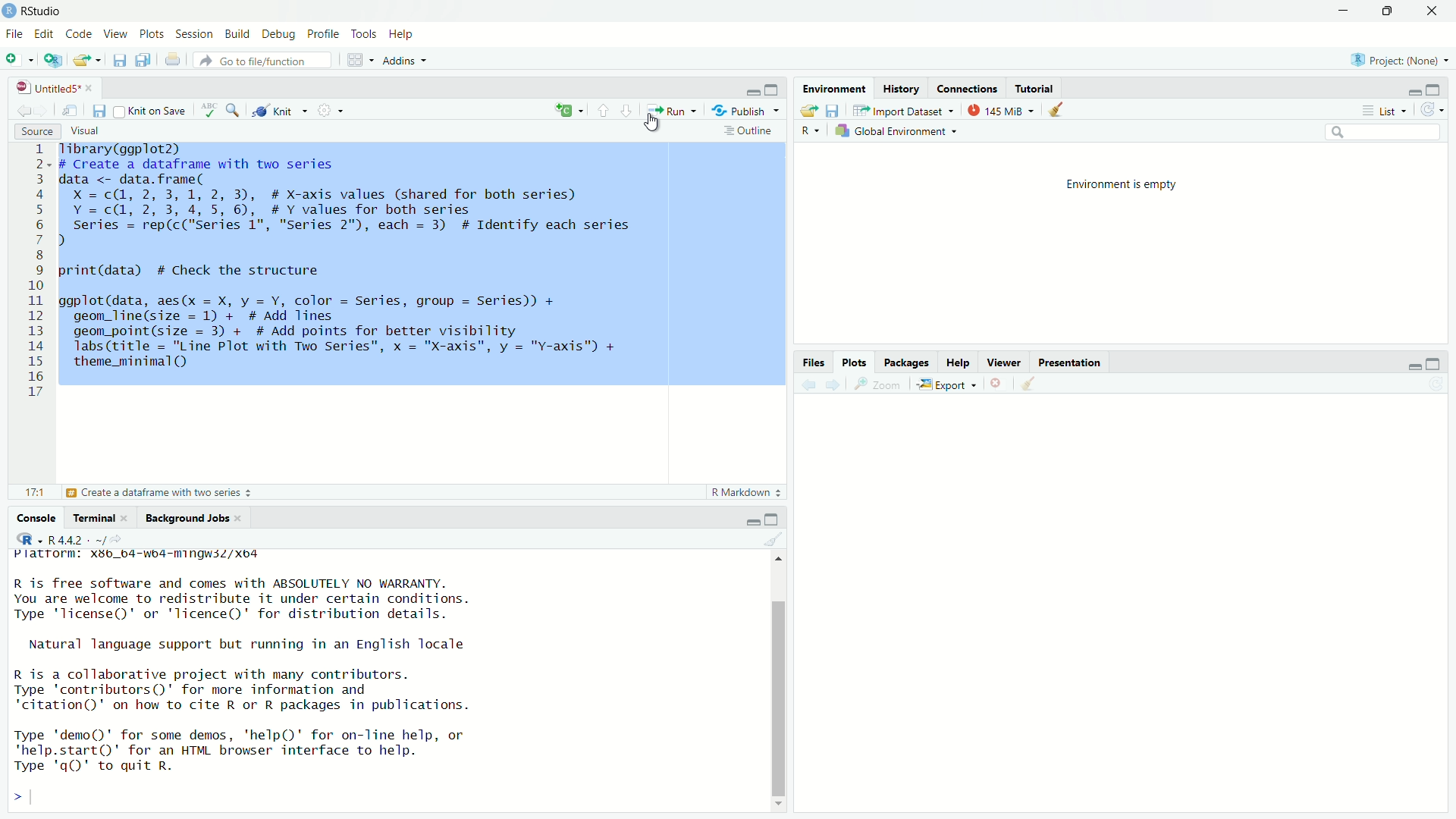  I want to click on ABC, so click(208, 111).